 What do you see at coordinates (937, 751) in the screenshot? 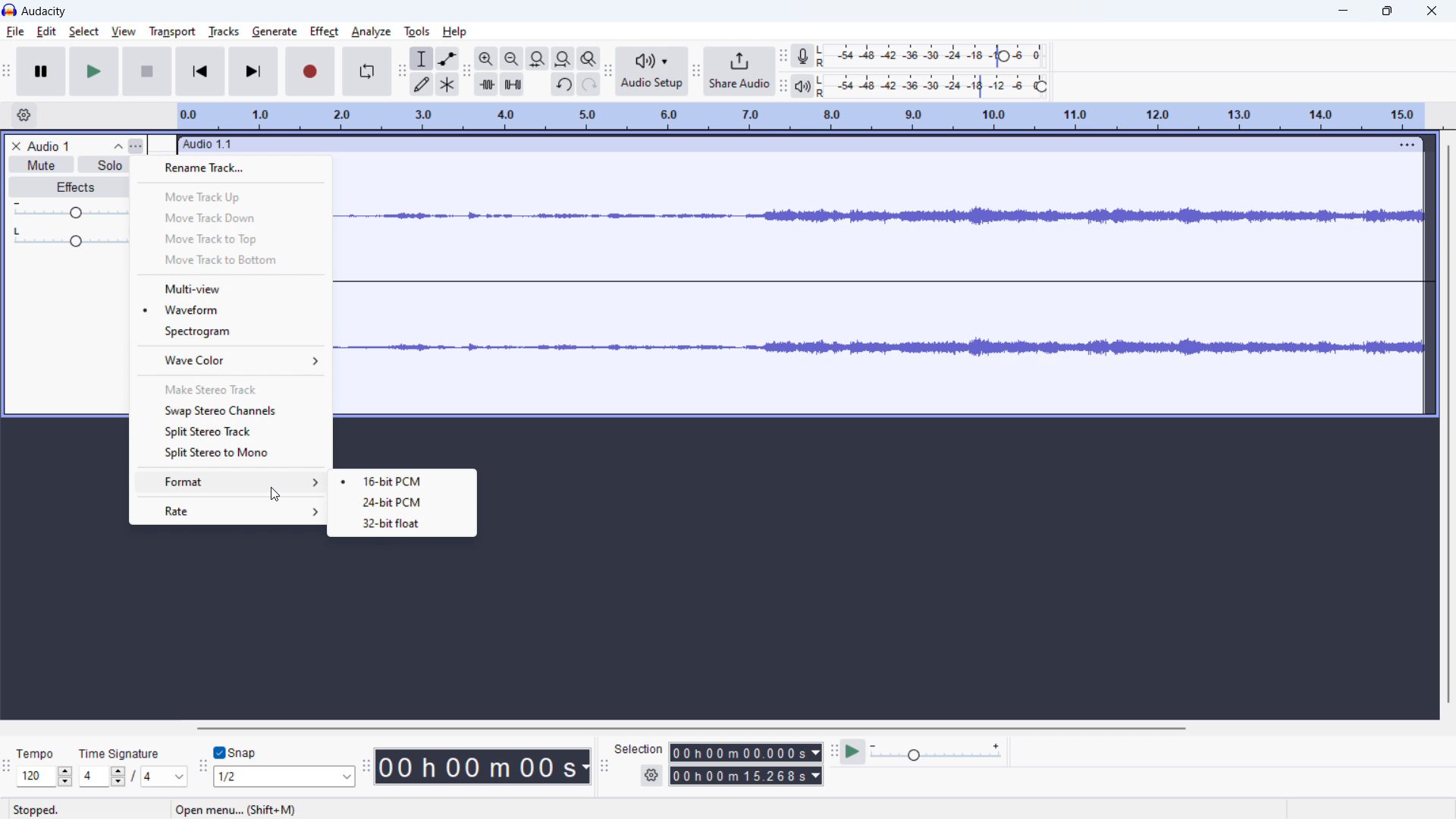
I see `playback speed` at bounding box center [937, 751].